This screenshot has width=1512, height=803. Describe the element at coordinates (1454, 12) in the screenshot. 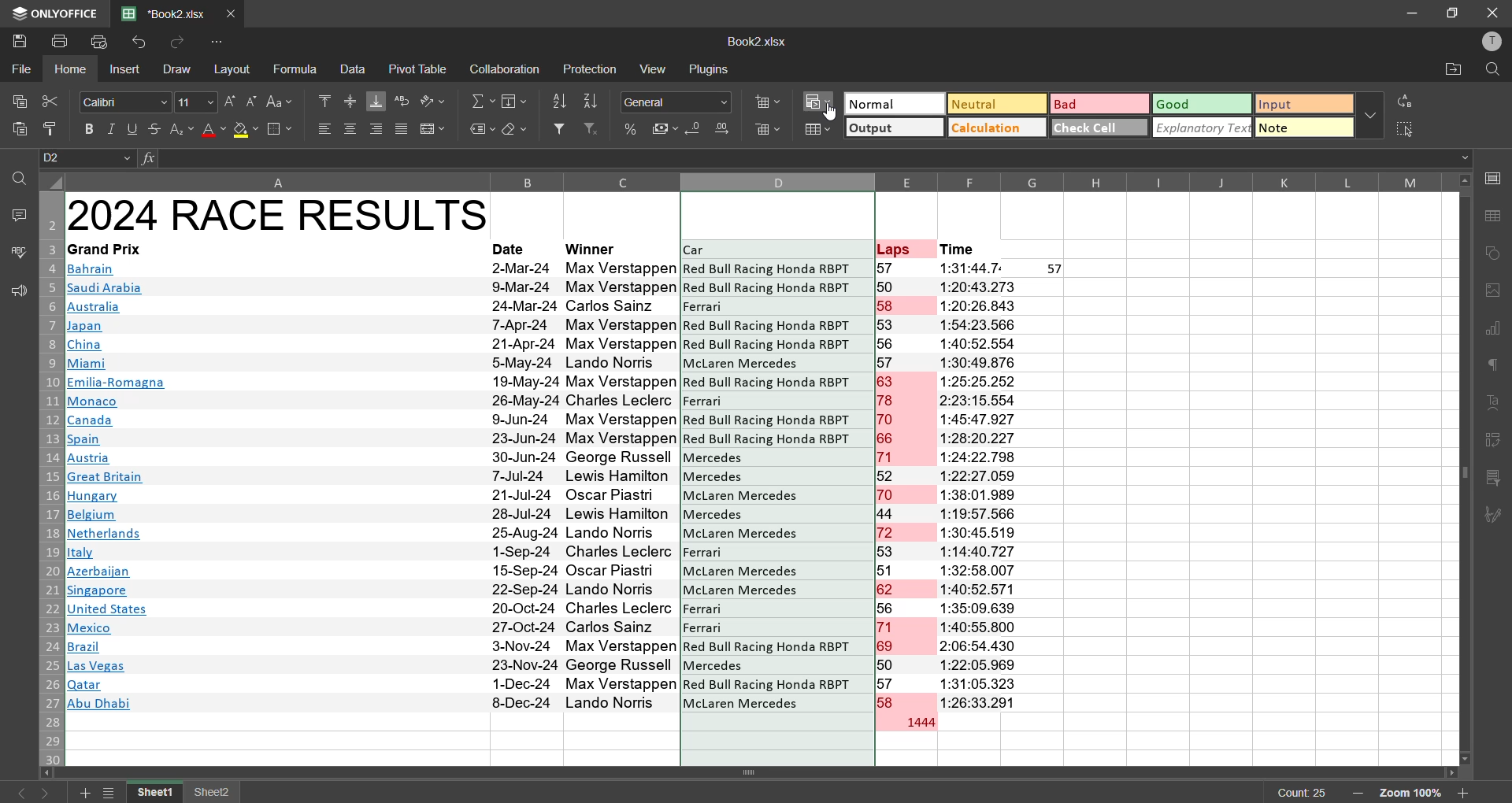

I see `maximize` at that location.